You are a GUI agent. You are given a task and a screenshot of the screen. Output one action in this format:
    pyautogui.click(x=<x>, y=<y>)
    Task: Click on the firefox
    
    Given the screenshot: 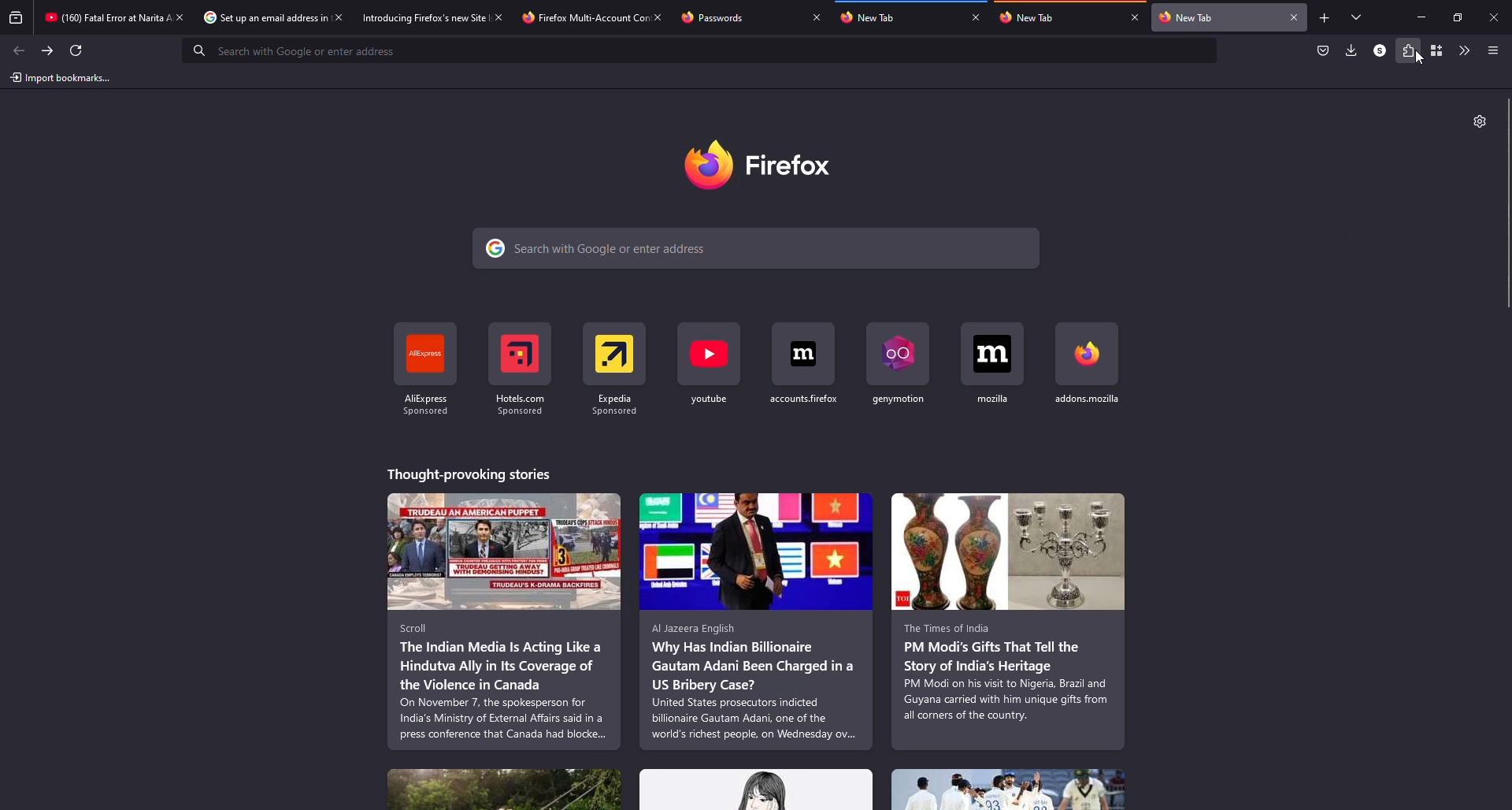 What is the action you would take?
    pyautogui.click(x=757, y=168)
    